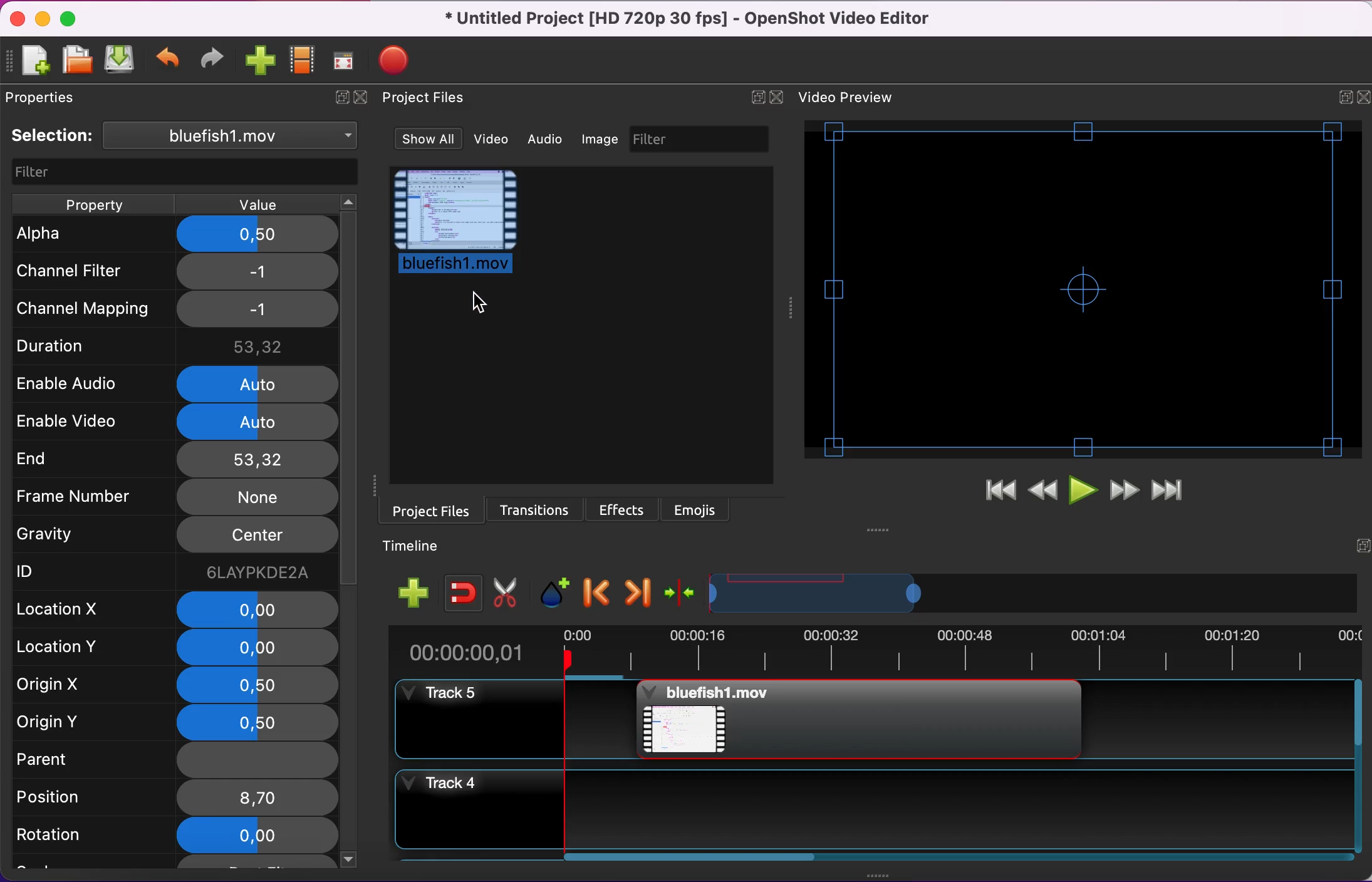  What do you see at coordinates (1084, 491) in the screenshot?
I see `play` at bounding box center [1084, 491].